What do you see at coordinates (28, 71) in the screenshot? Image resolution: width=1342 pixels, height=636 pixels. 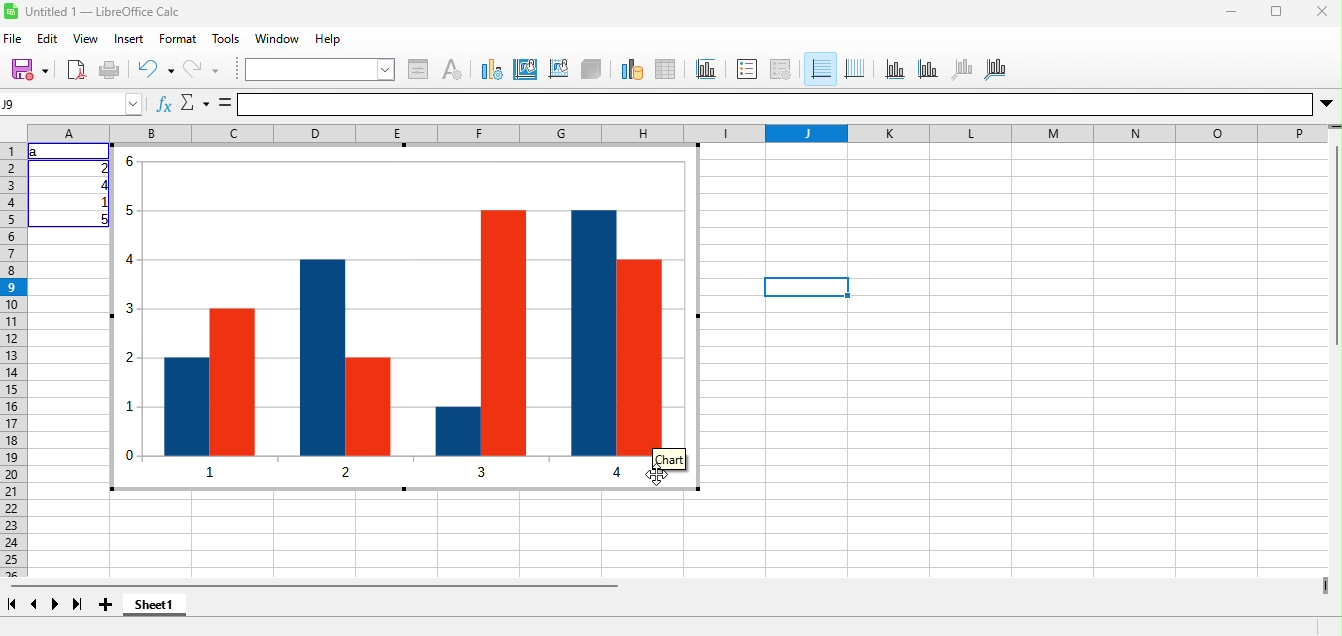 I see `save` at bounding box center [28, 71].